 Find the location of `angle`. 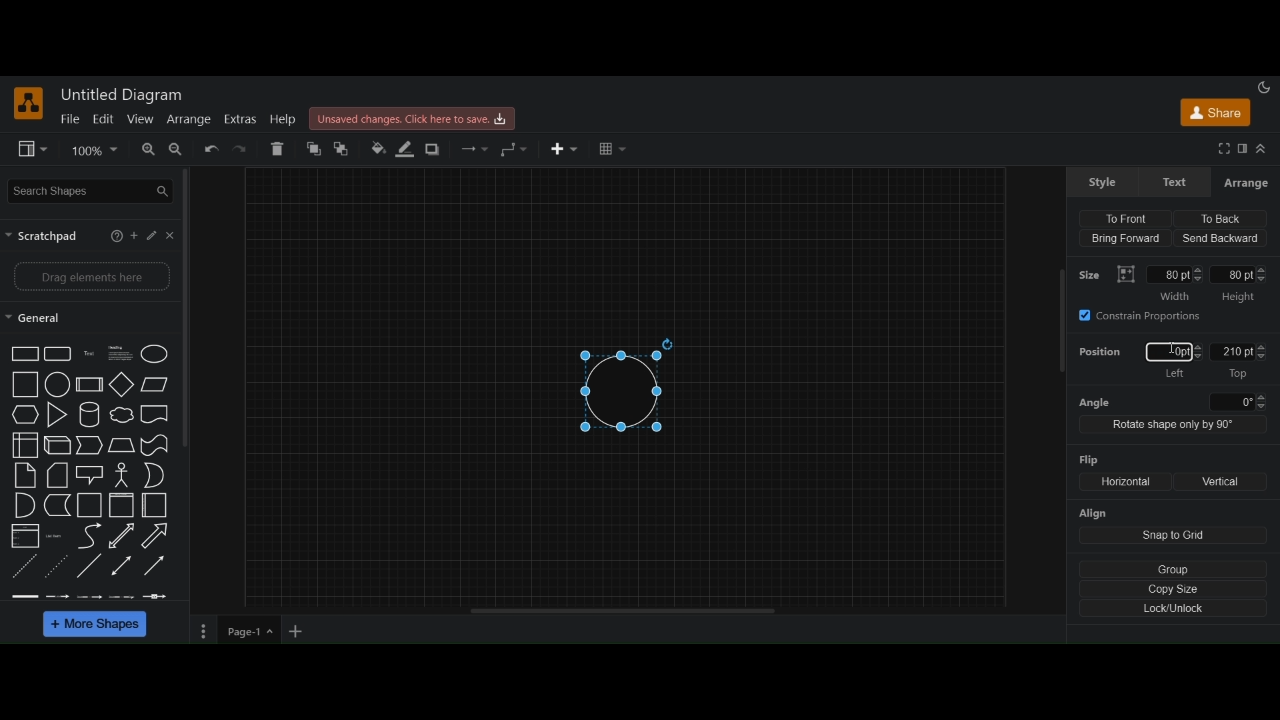

angle is located at coordinates (1171, 402).